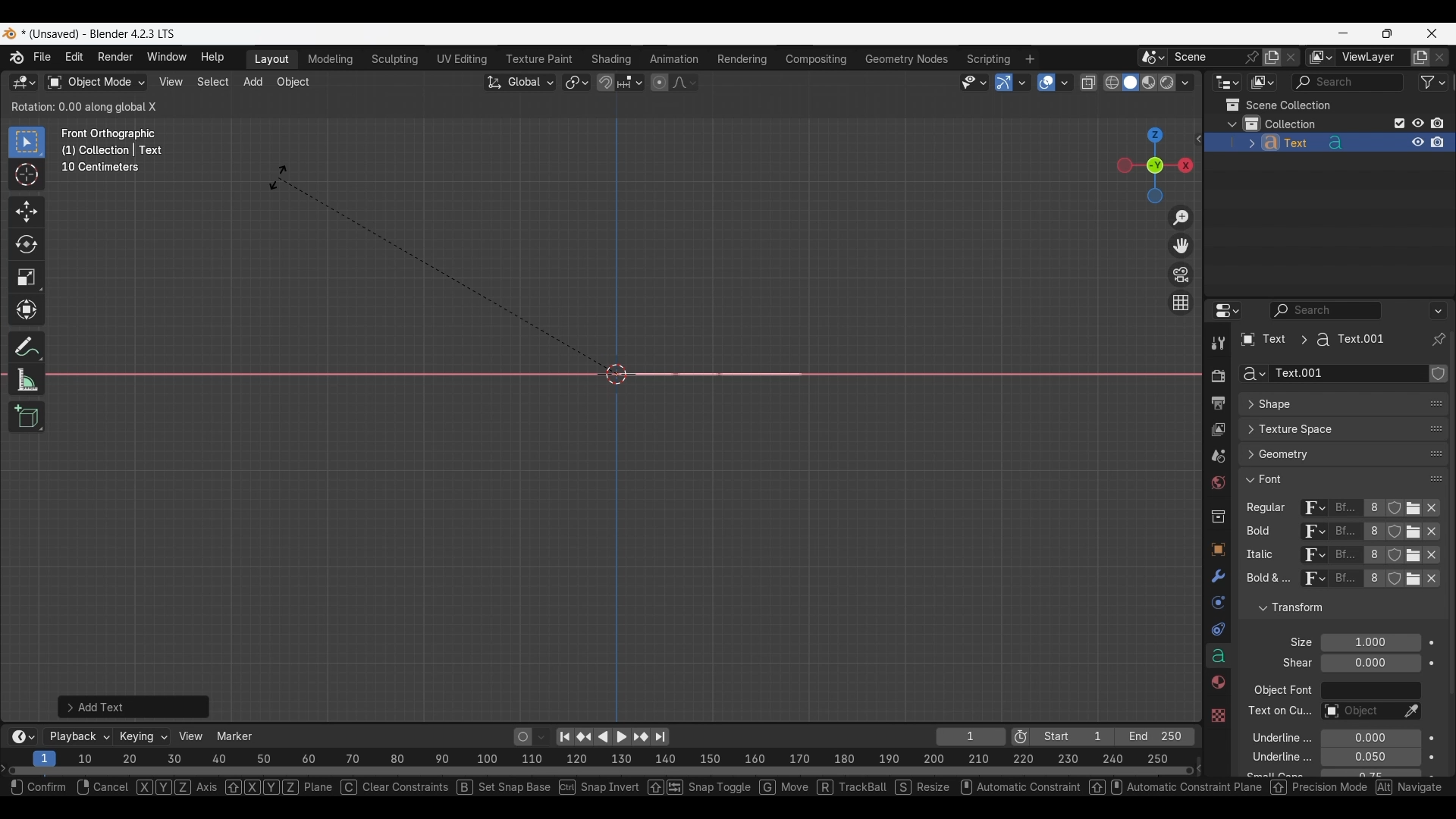 The height and width of the screenshot is (819, 1456). What do you see at coordinates (1272, 58) in the screenshot?
I see `Add new scene` at bounding box center [1272, 58].